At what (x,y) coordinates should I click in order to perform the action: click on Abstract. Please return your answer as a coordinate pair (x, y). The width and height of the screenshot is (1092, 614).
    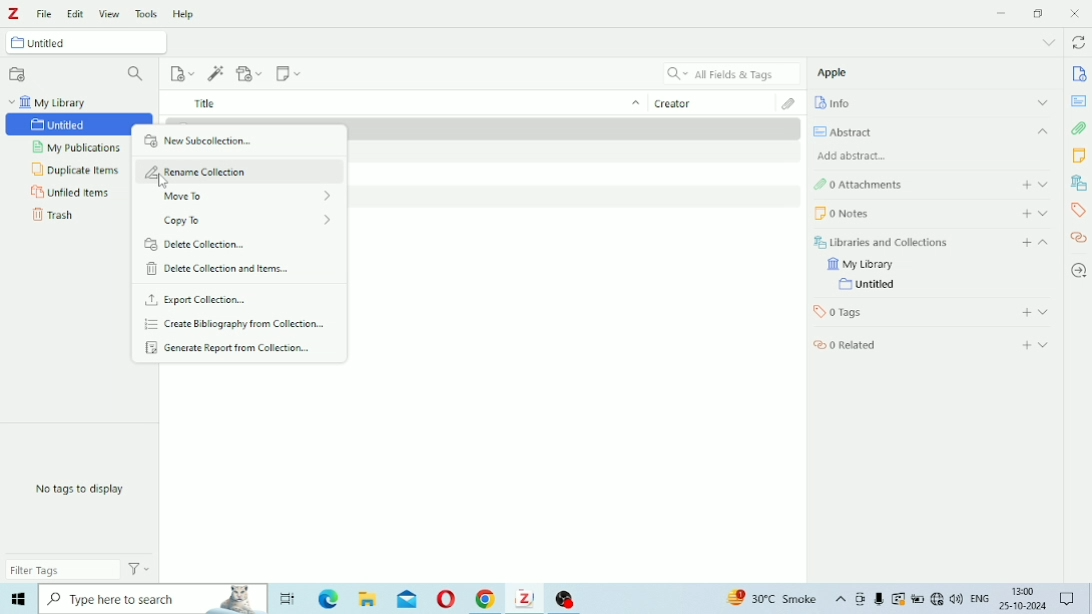
    Looking at the image, I should click on (933, 131).